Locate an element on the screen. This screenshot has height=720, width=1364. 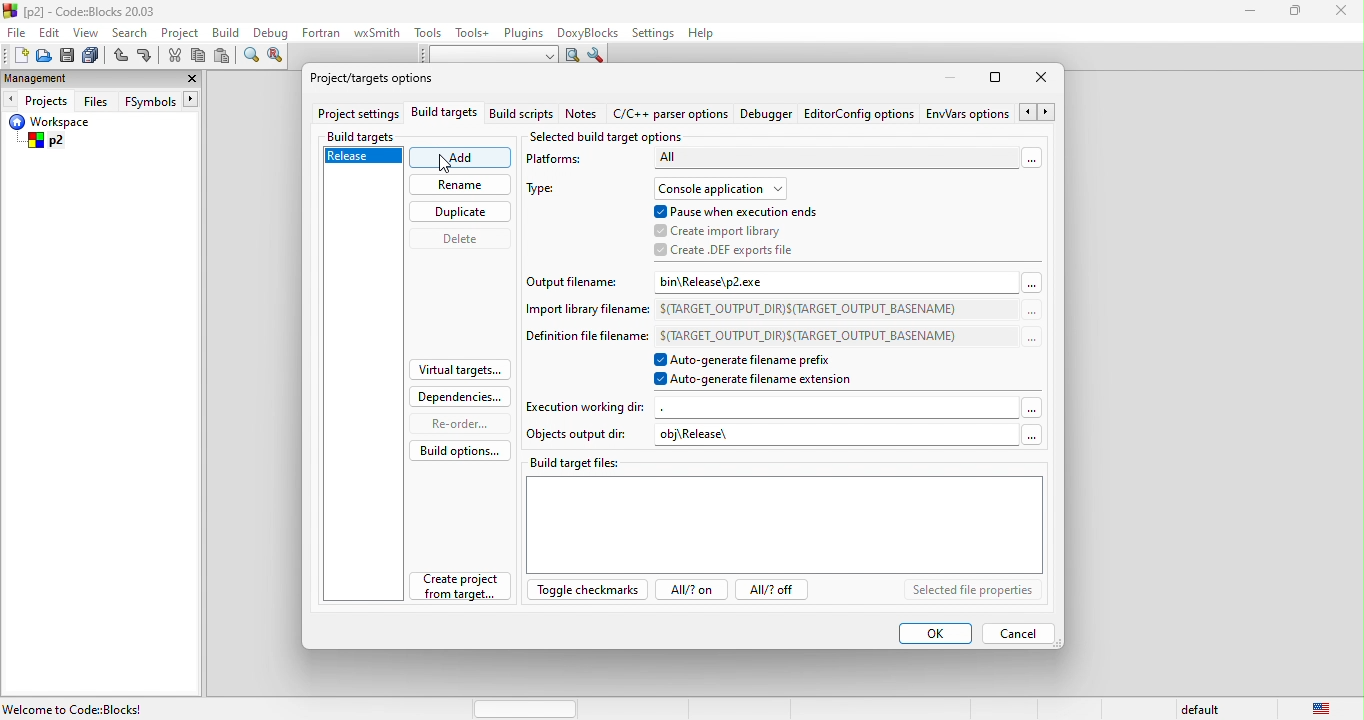
selected build target option is located at coordinates (613, 138).